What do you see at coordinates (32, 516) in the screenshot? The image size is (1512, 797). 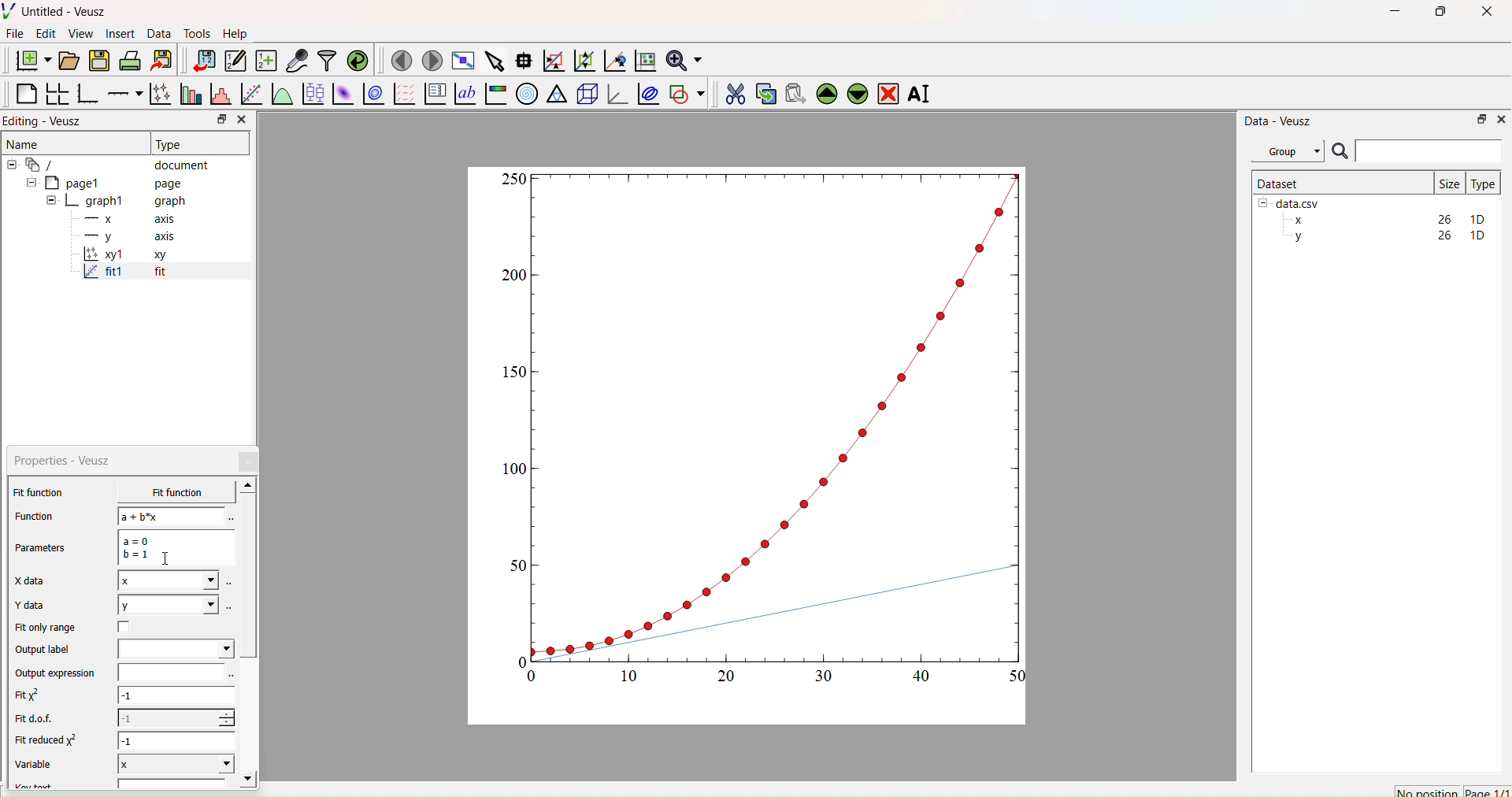 I see `Function` at bounding box center [32, 516].